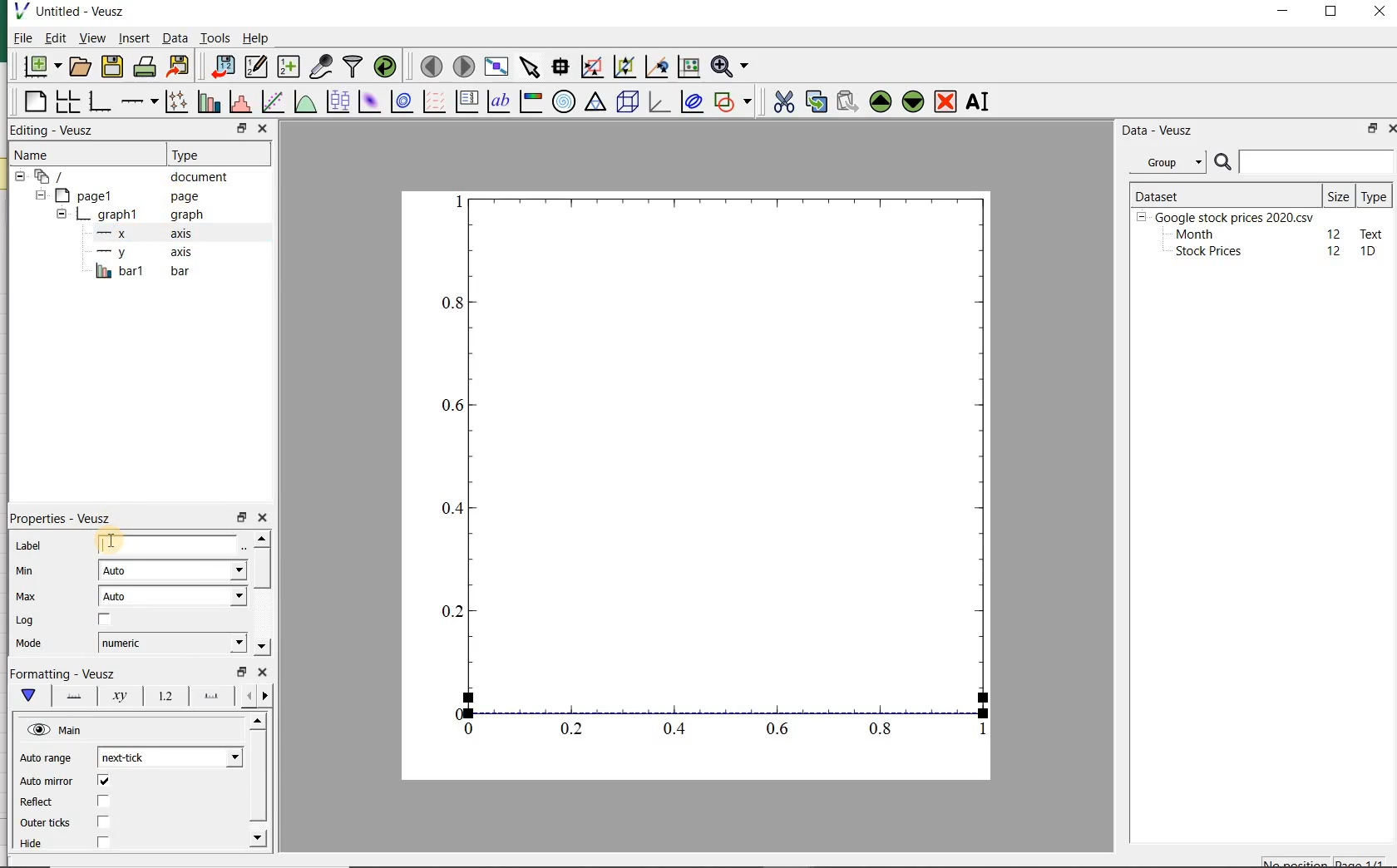 This screenshot has width=1397, height=868. Describe the element at coordinates (179, 67) in the screenshot. I see `export to graphics format` at that location.